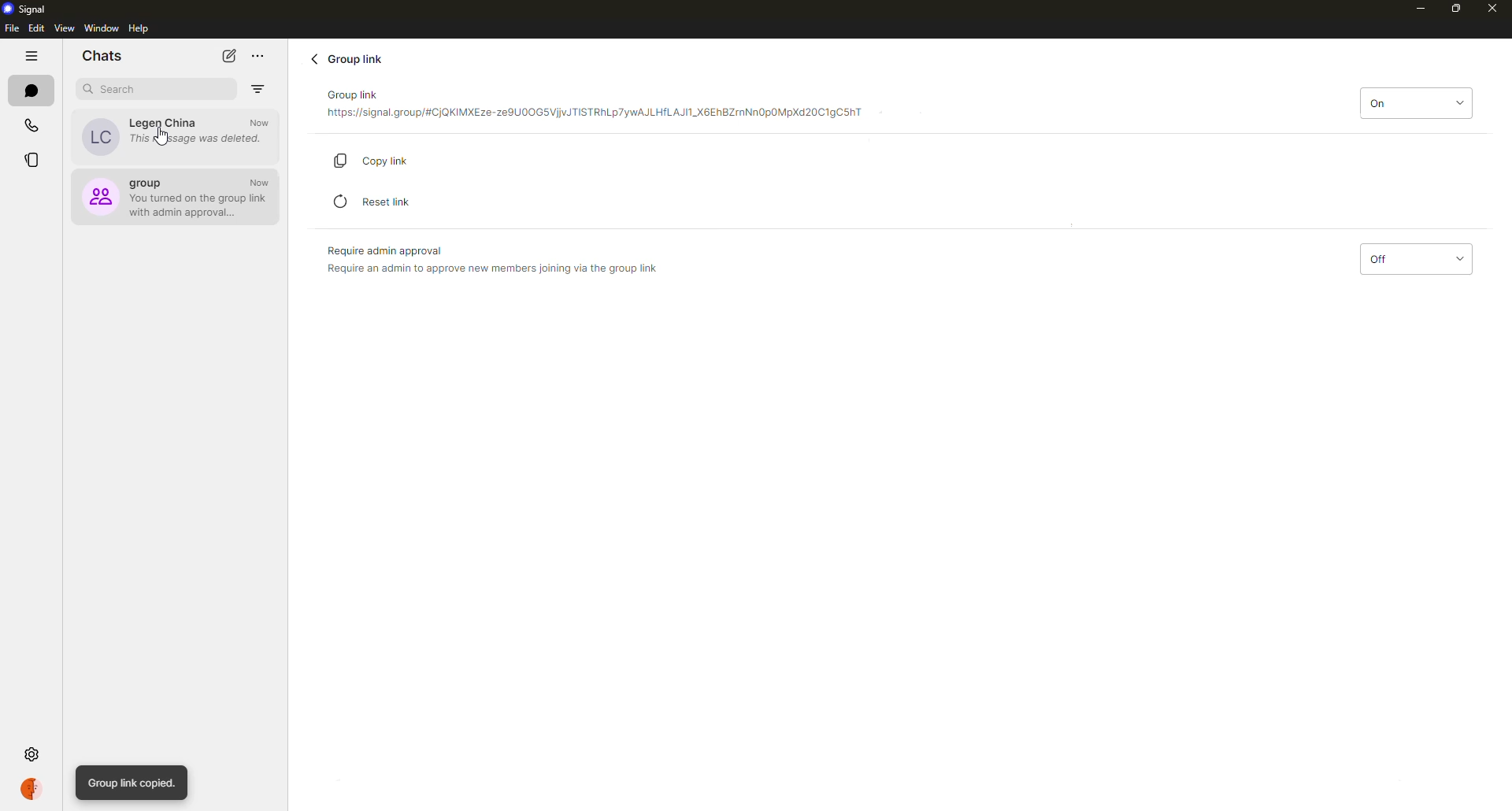 This screenshot has width=1512, height=811. Describe the element at coordinates (1457, 9) in the screenshot. I see `maximize` at that location.